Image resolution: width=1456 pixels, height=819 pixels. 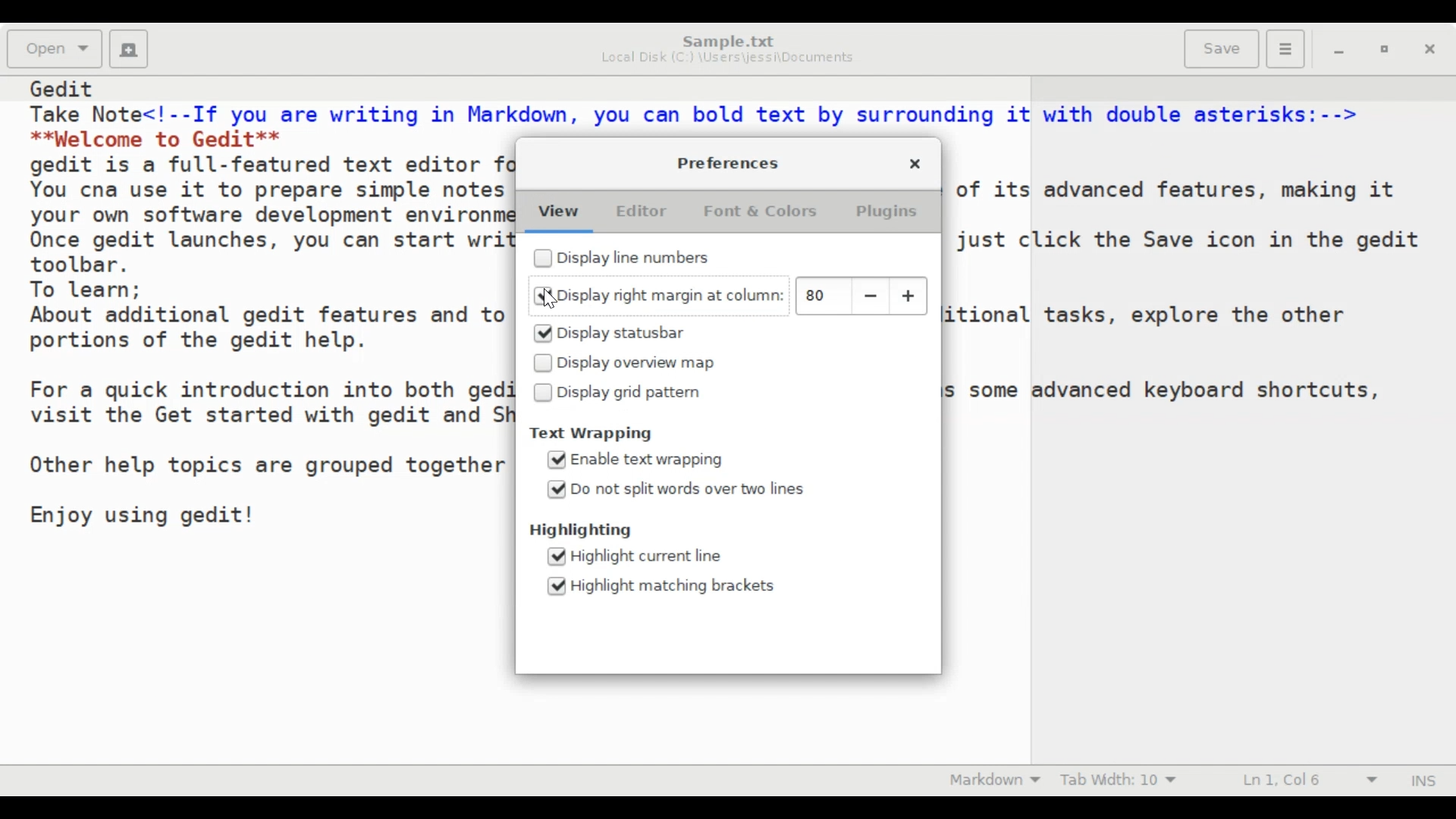 What do you see at coordinates (870, 296) in the screenshot?
I see `decrease` at bounding box center [870, 296].